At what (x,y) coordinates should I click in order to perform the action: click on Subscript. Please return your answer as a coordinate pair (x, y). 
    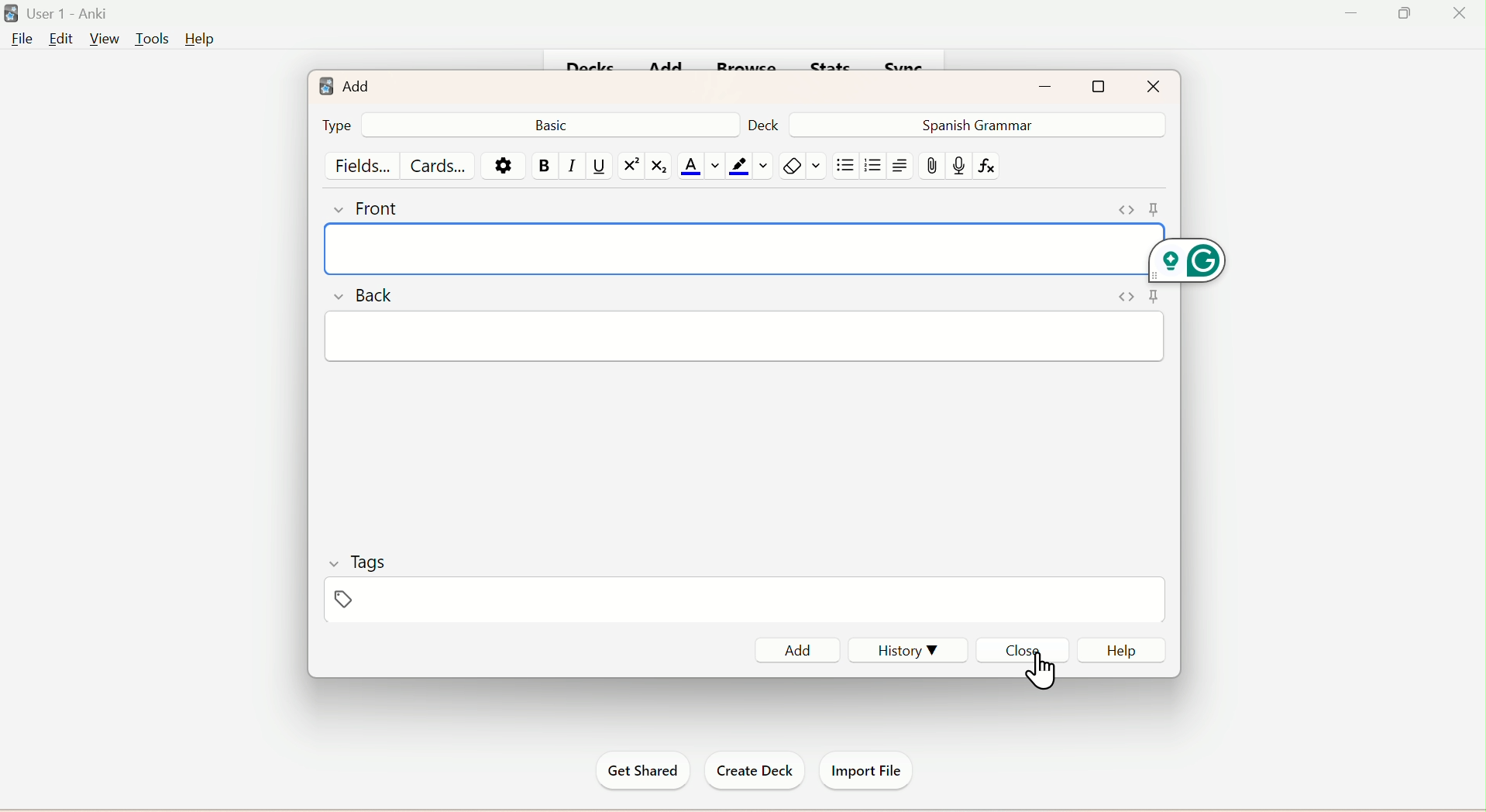
    Looking at the image, I should click on (659, 167).